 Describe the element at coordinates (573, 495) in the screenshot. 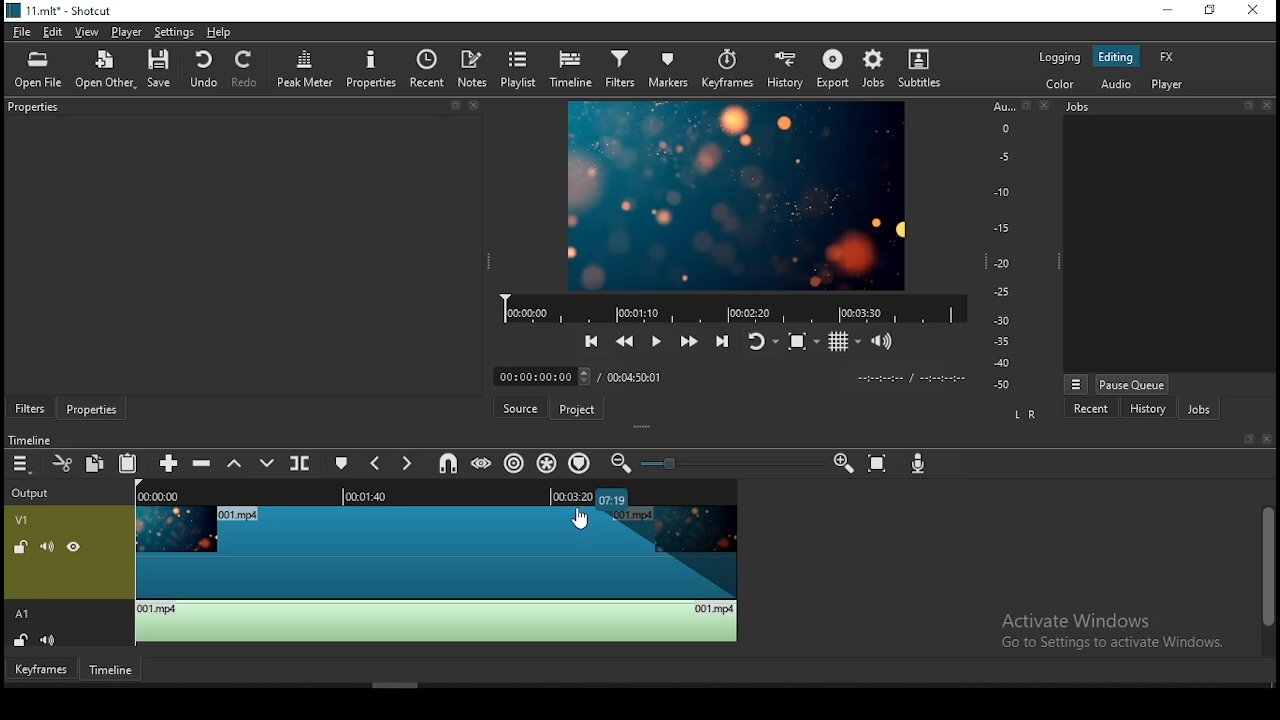

I see `remaining time` at that location.